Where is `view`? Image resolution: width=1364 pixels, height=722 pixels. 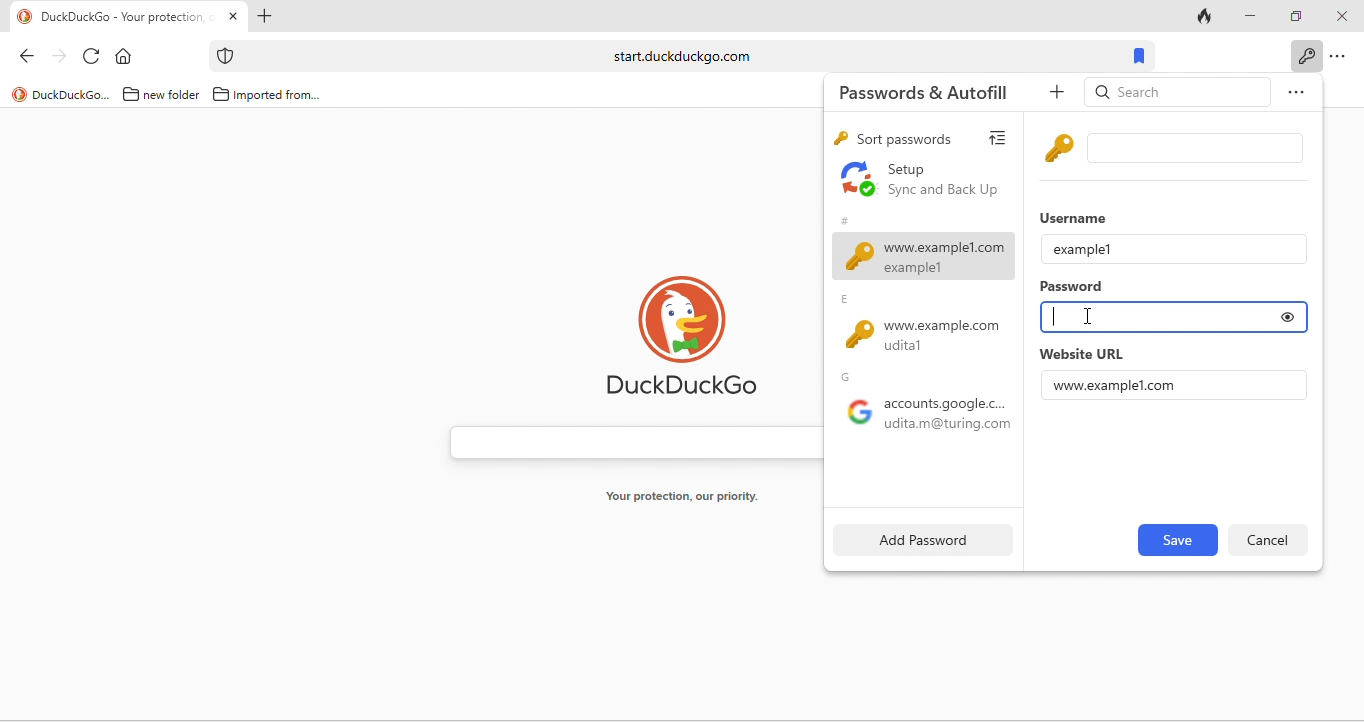
view is located at coordinates (1003, 135).